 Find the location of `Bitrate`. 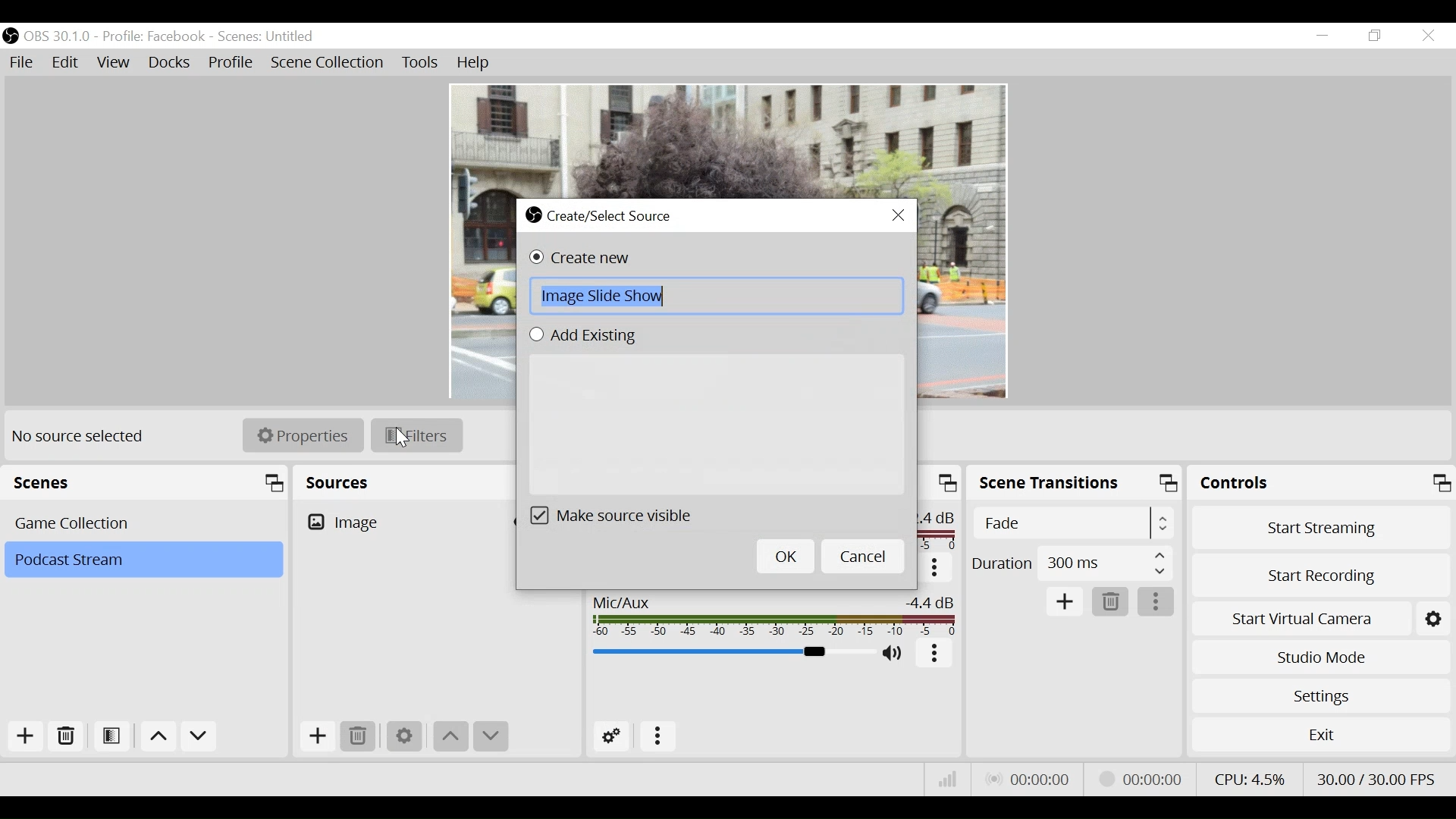

Bitrate is located at coordinates (948, 780).